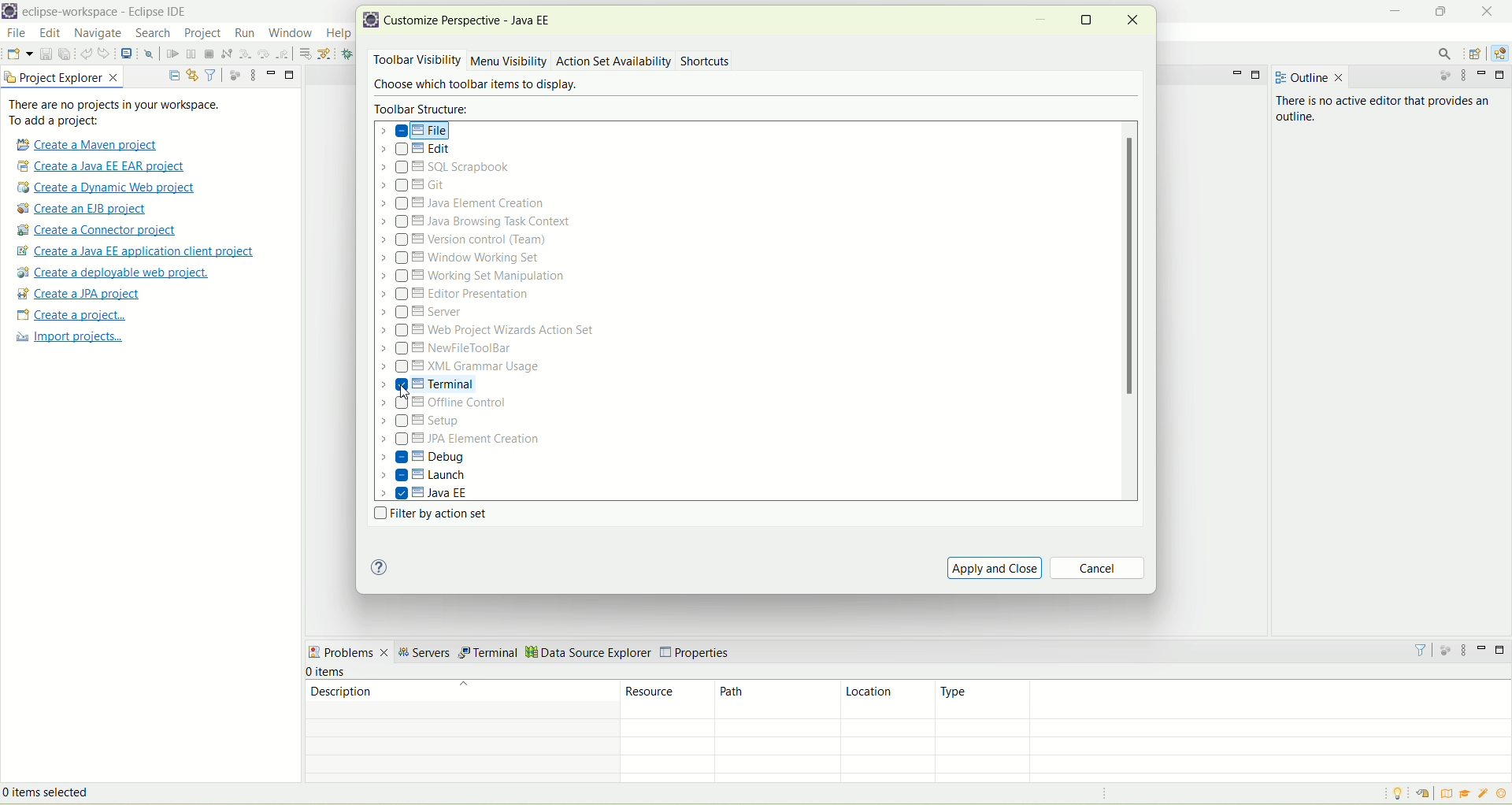  What do you see at coordinates (1099, 569) in the screenshot?
I see `cancel` at bounding box center [1099, 569].